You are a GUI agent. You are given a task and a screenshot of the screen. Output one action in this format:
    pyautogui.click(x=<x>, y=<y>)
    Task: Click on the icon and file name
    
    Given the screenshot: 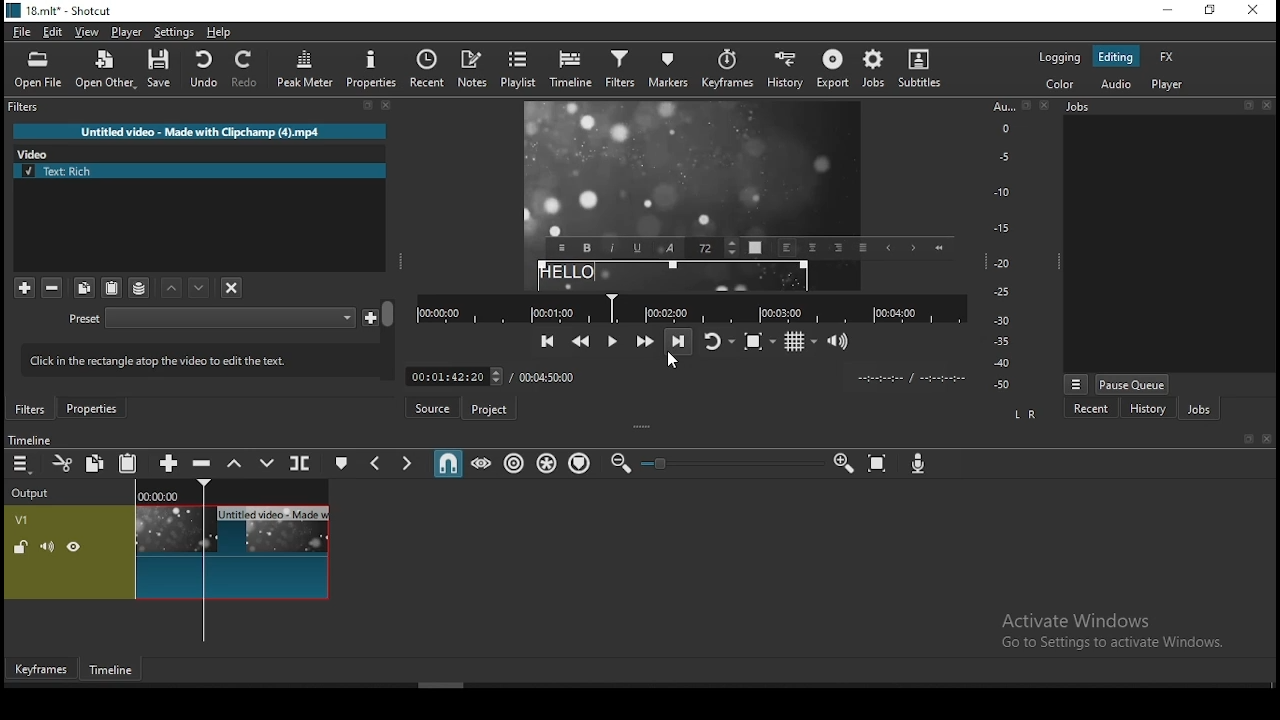 What is the action you would take?
    pyautogui.click(x=58, y=11)
    